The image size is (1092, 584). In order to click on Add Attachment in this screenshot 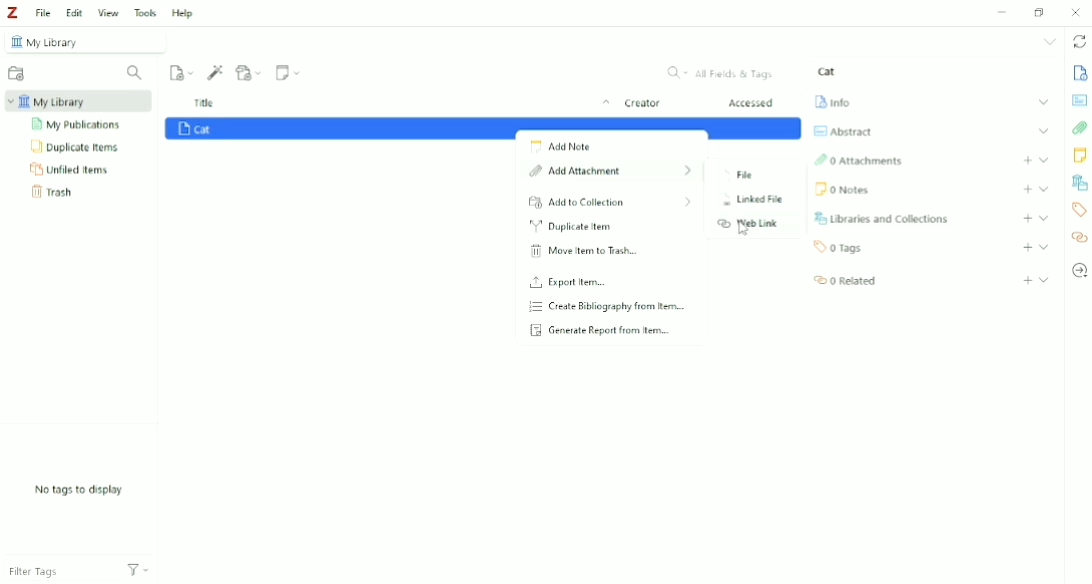, I will do `click(249, 72)`.